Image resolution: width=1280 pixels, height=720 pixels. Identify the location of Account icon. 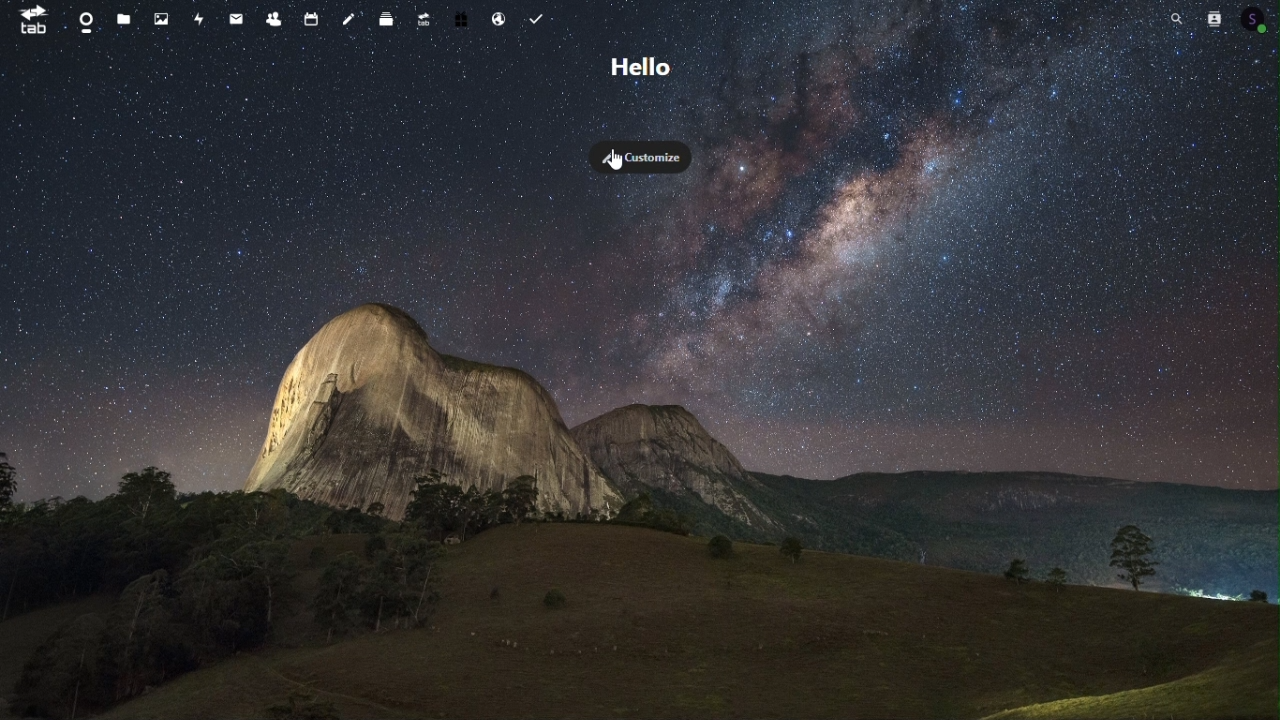
(1256, 19).